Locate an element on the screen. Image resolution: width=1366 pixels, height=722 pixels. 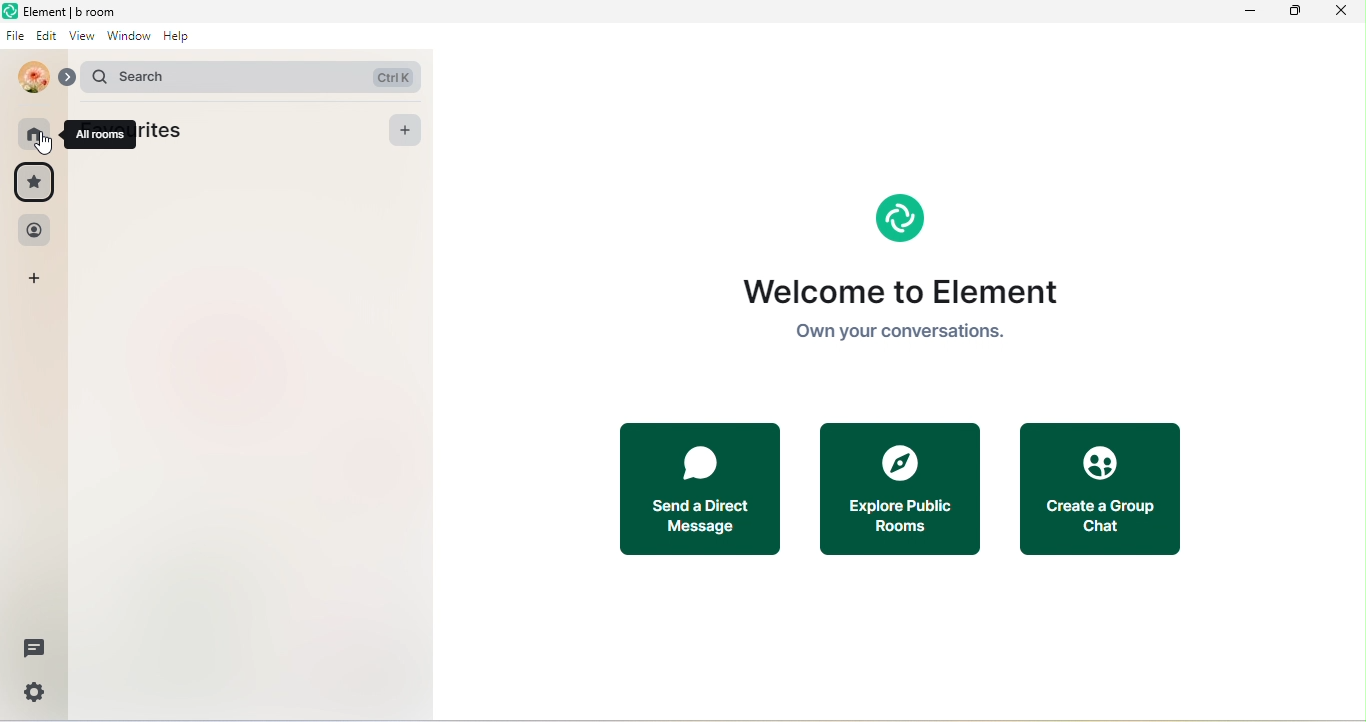
minimize is located at coordinates (1249, 12).